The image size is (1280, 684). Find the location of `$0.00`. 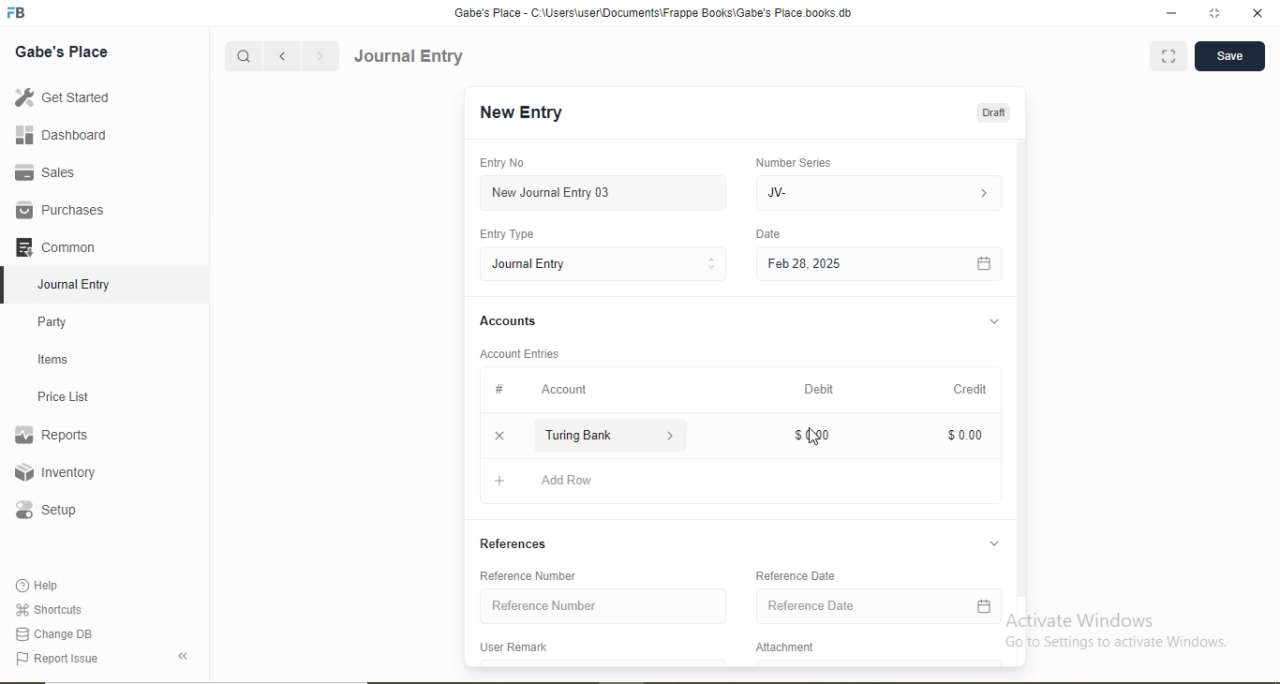

$0.00 is located at coordinates (812, 435).